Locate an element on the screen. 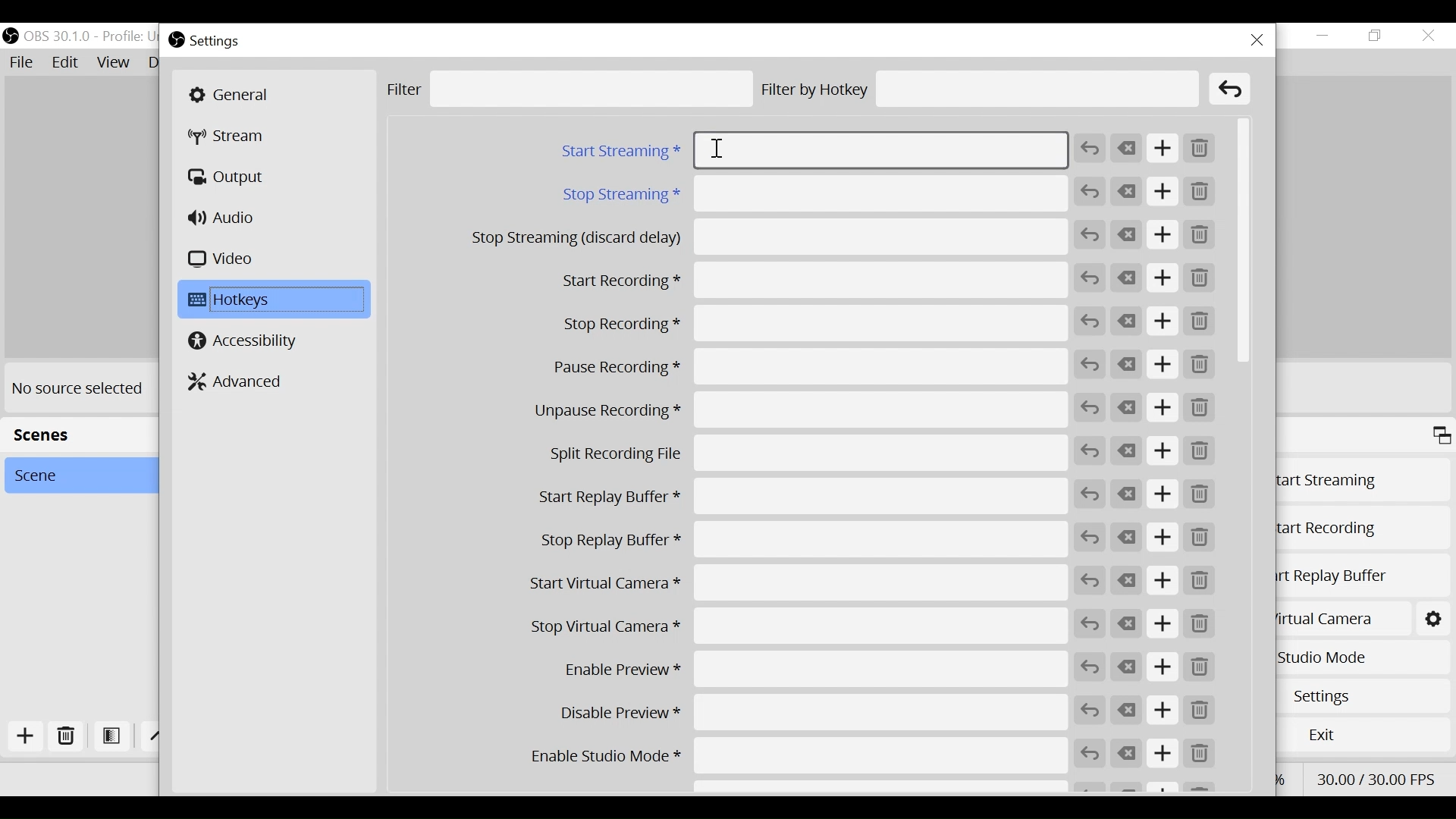 The height and width of the screenshot is (819, 1456). Unpause Recording is located at coordinates (798, 411).